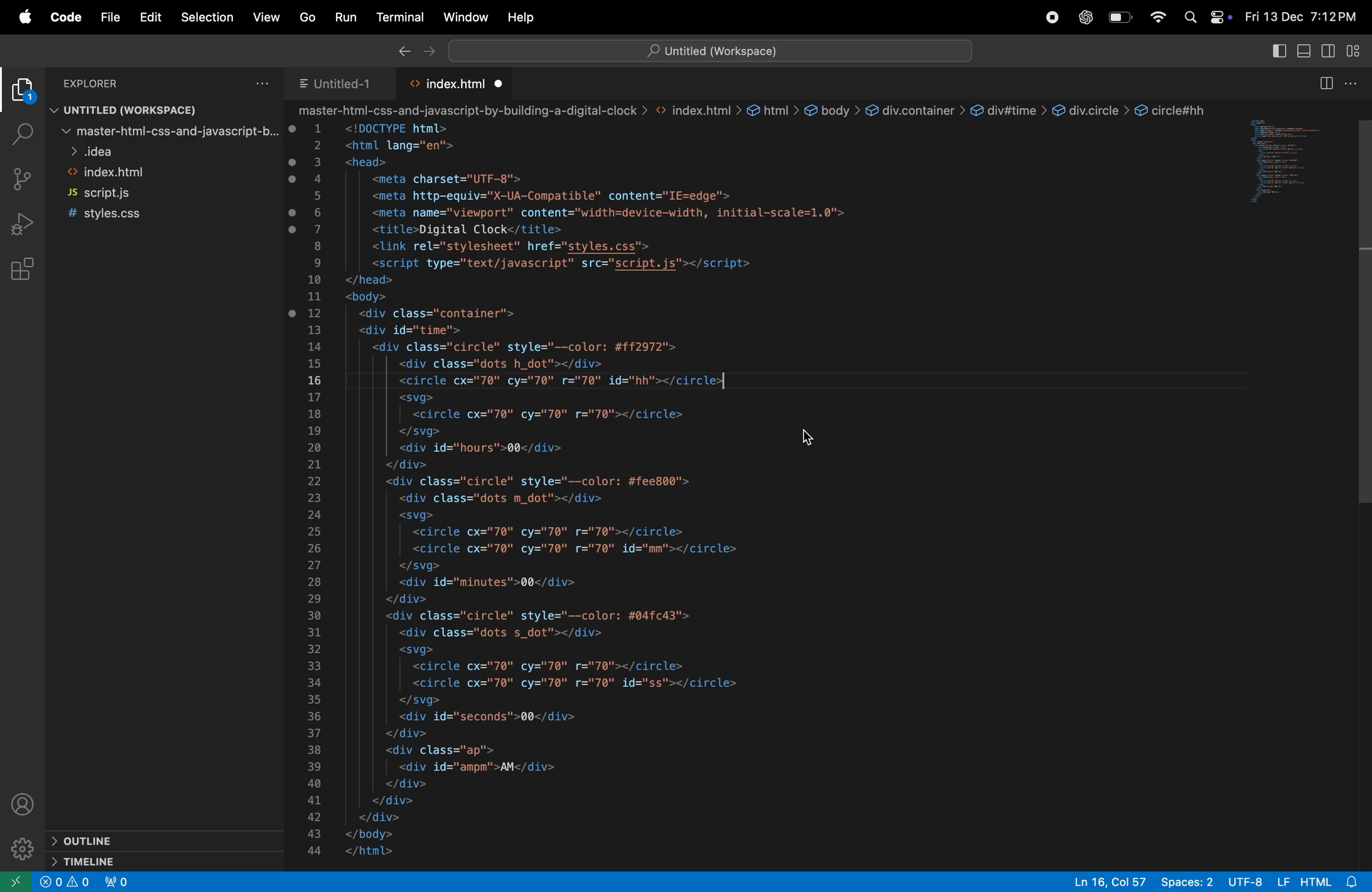  What do you see at coordinates (315, 491) in the screenshot?
I see `Line Number` at bounding box center [315, 491].